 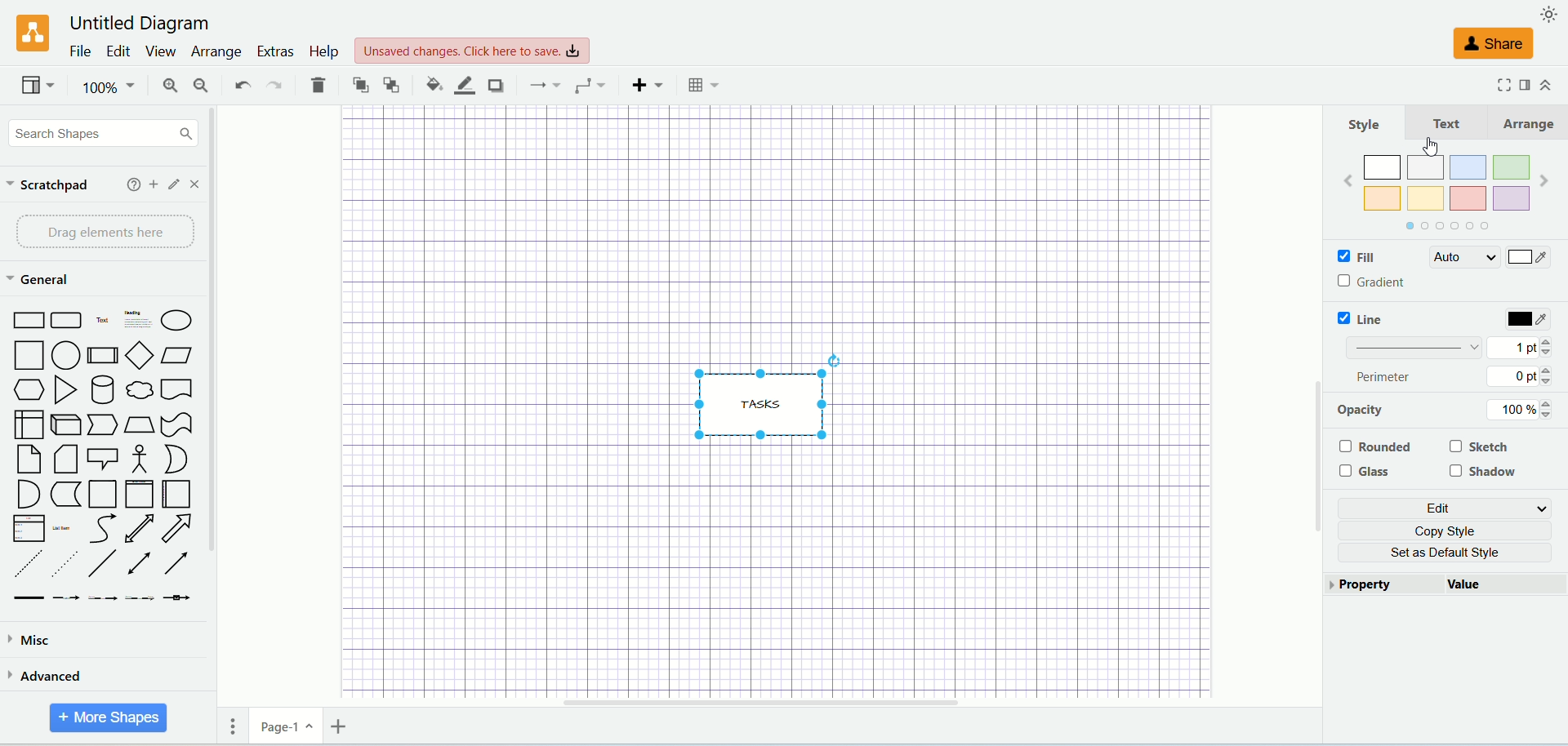 What do you see at coordinates (154, 184) in the screenshot?
I see `add` at bounding box center [154, 184].